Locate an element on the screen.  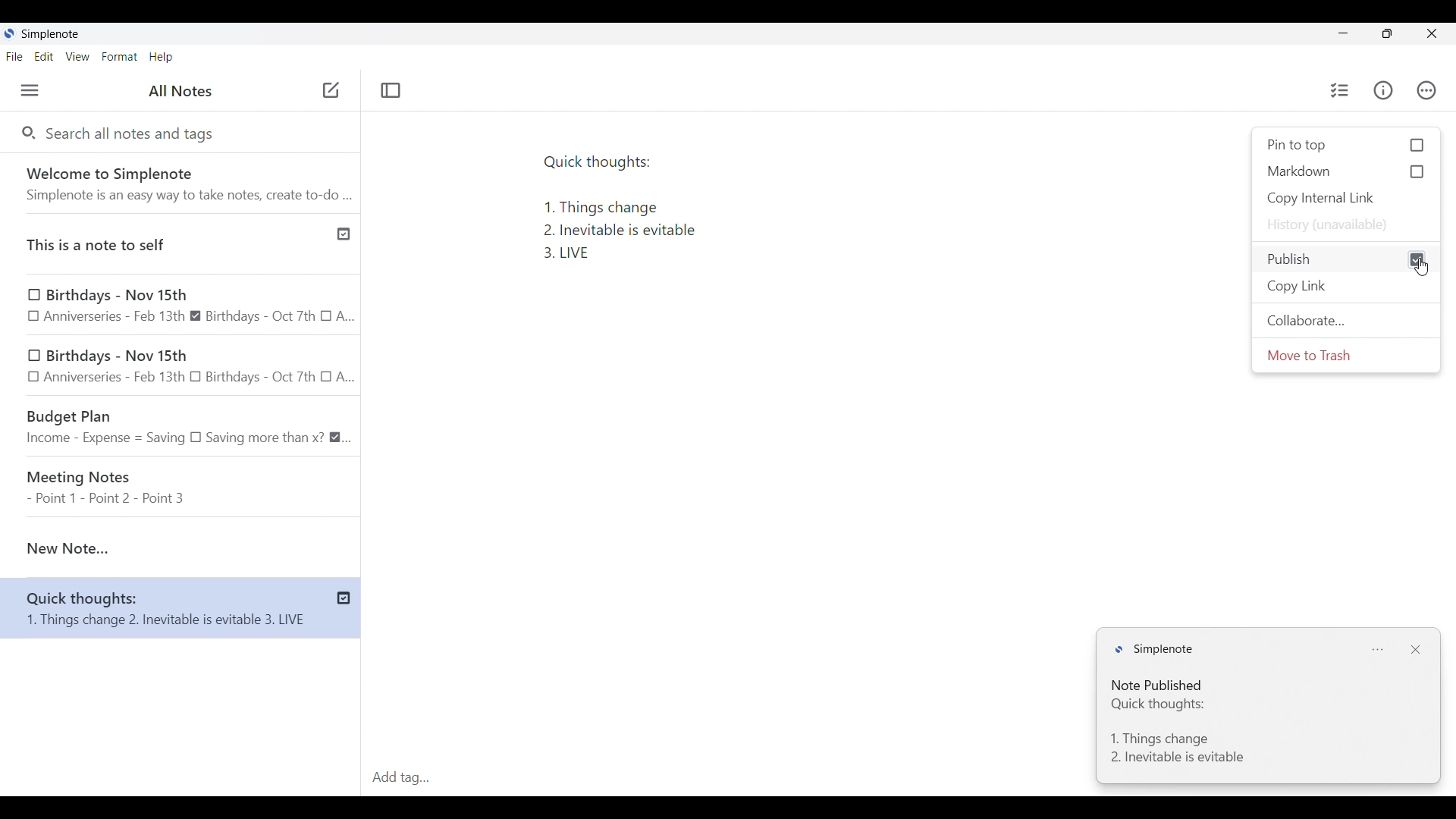
History is located at coordinates (1346, 225).